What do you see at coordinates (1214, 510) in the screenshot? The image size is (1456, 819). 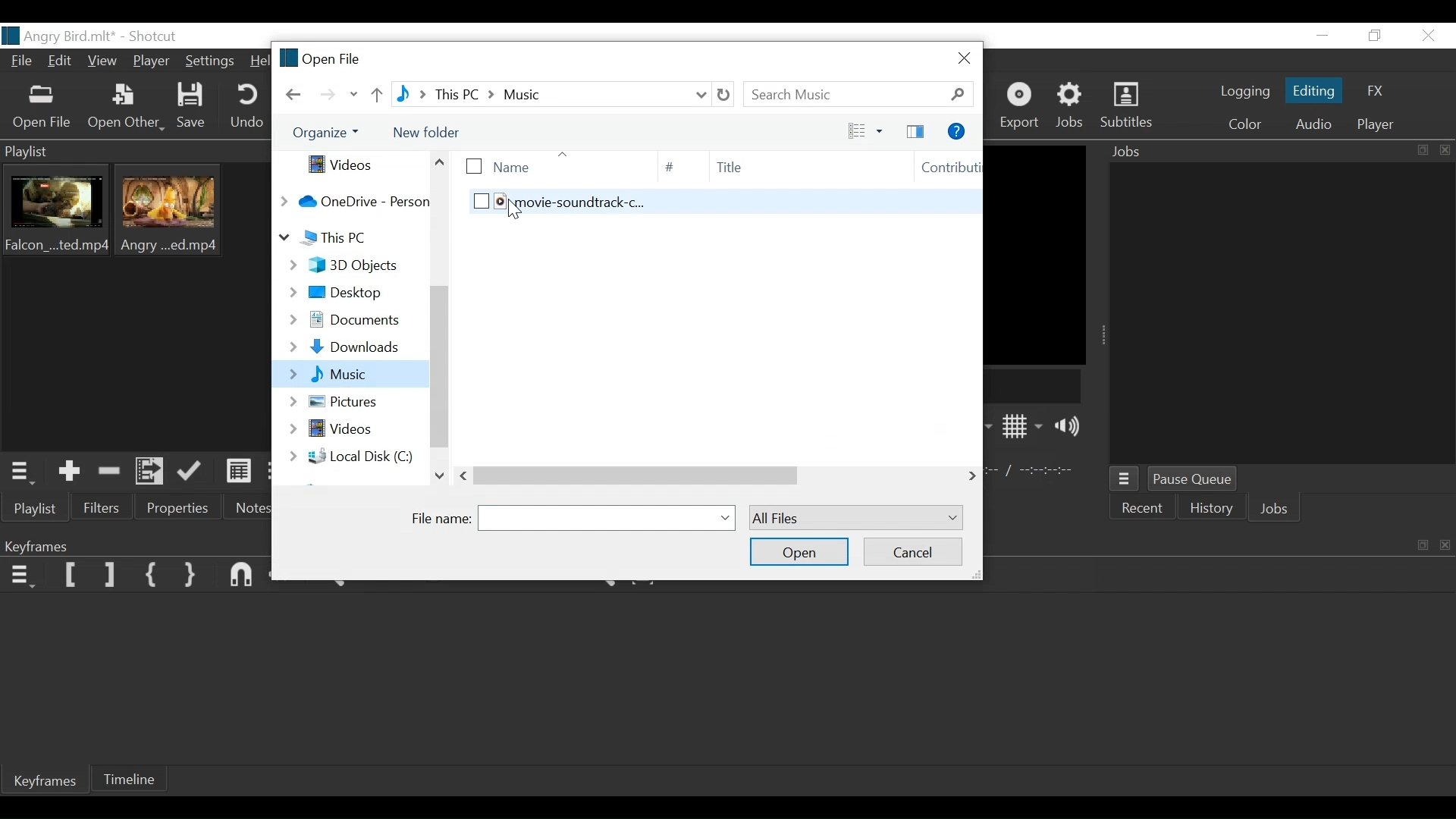 I see `History` at bounding box center [1214, 510].